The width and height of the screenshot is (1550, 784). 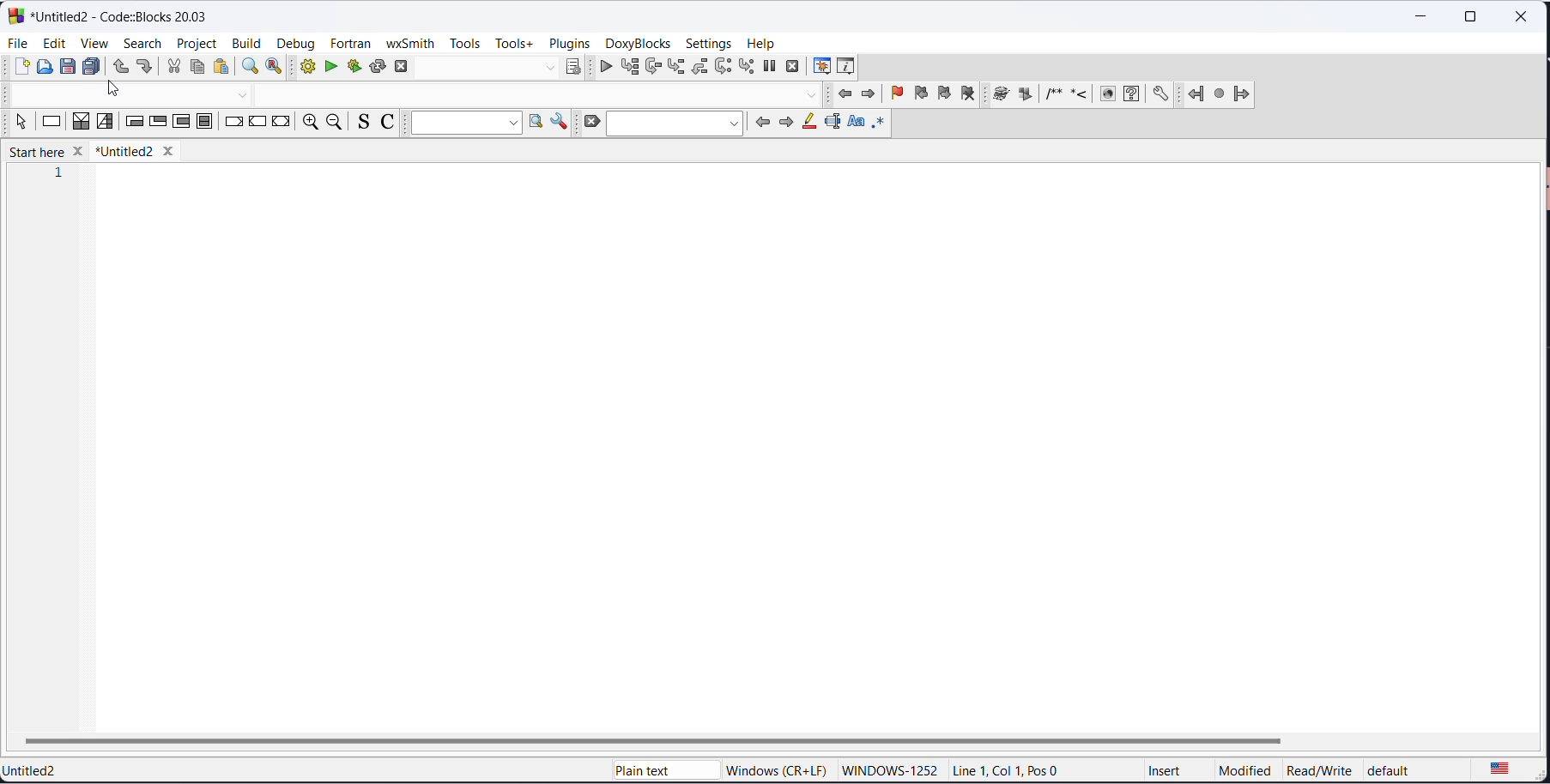 I want to click on zoom in, so click(x=307, y=124).